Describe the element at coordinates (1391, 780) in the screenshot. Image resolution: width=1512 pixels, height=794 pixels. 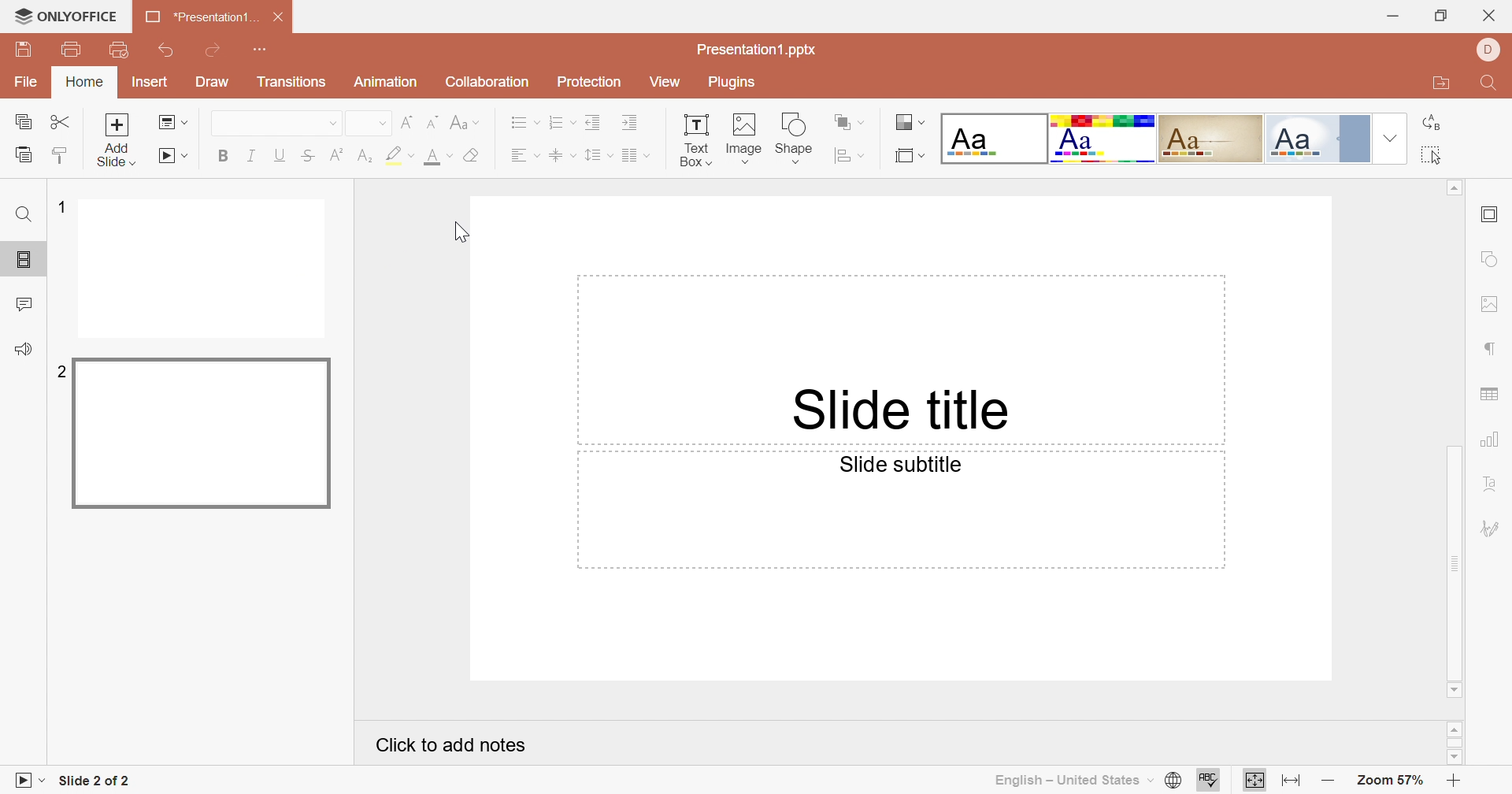
I see `Zoom 57%` at that location.